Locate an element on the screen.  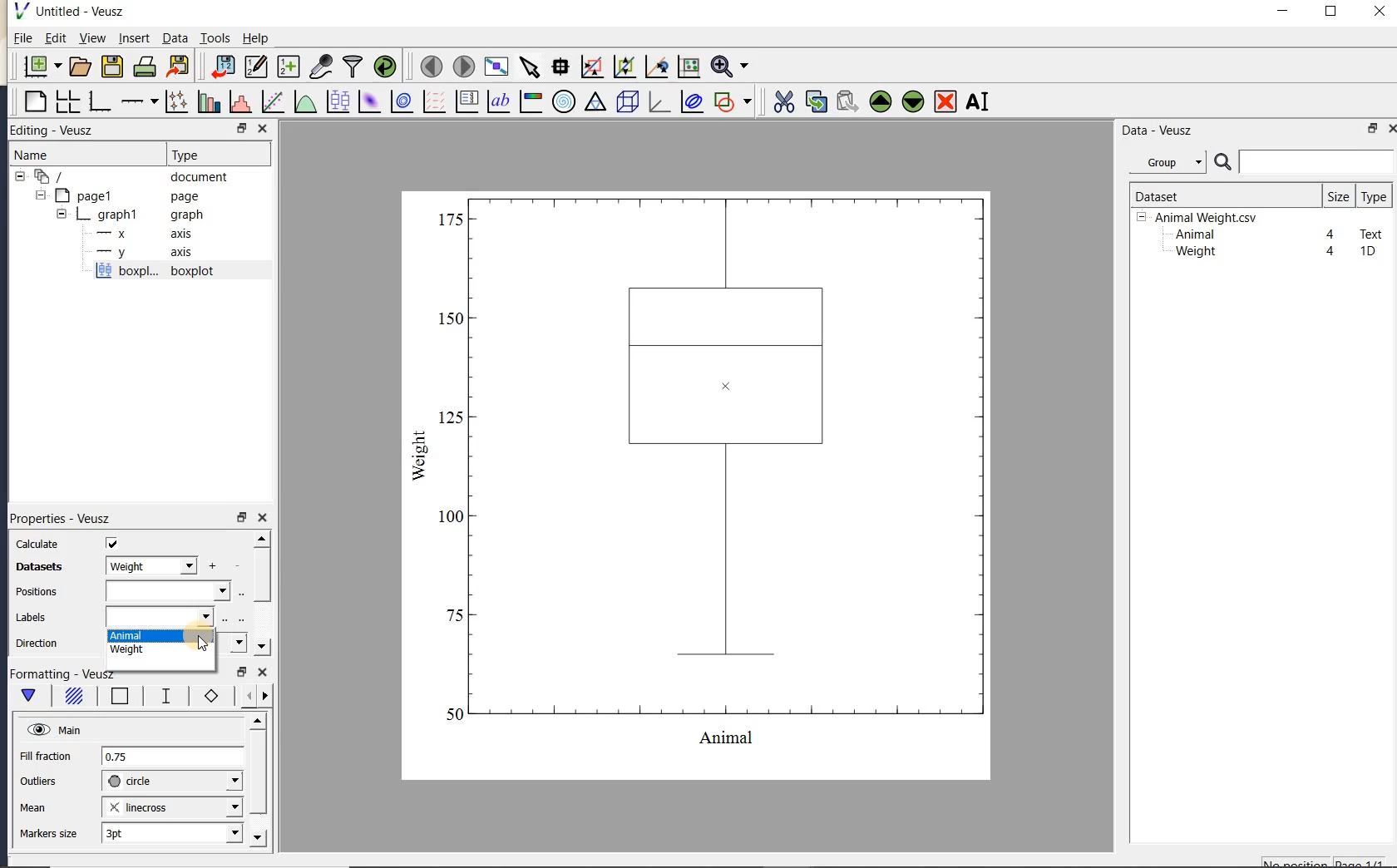
Type is located at coordinates (215, 153).